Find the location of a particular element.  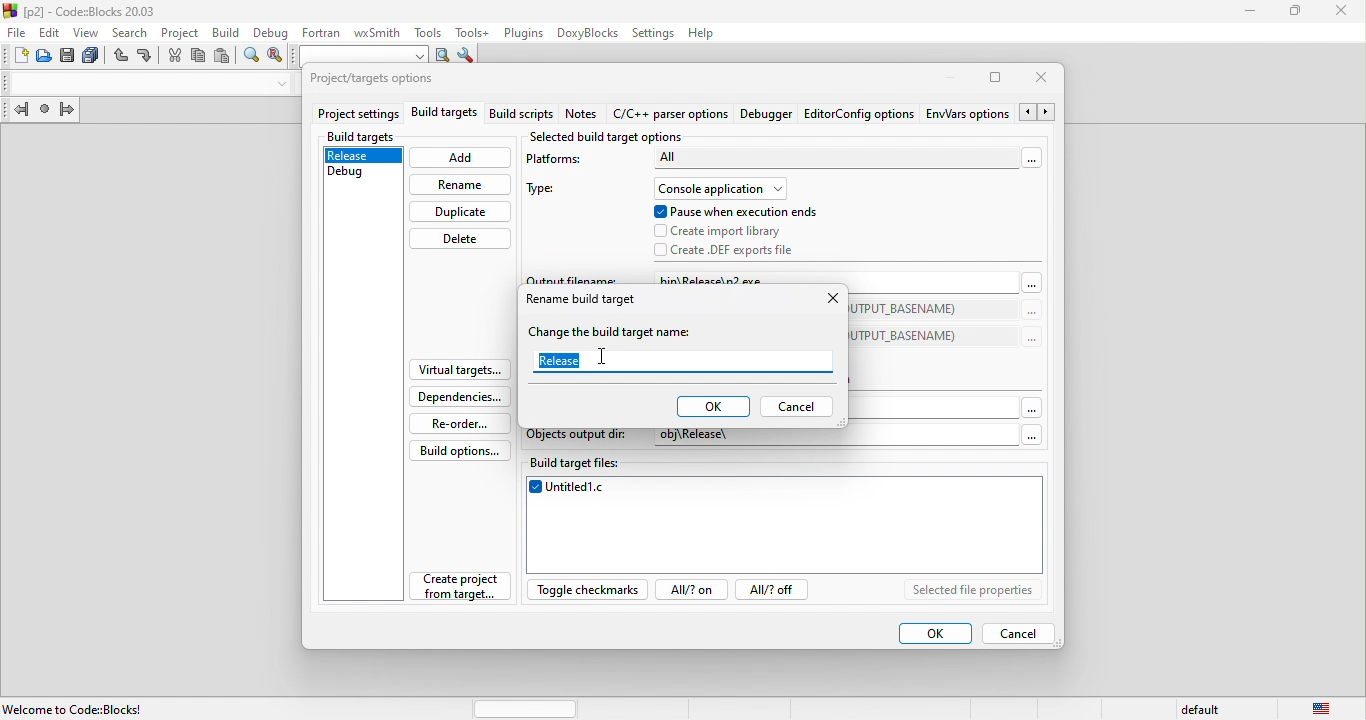

Rename Build target is located at coordinates (581, 301).